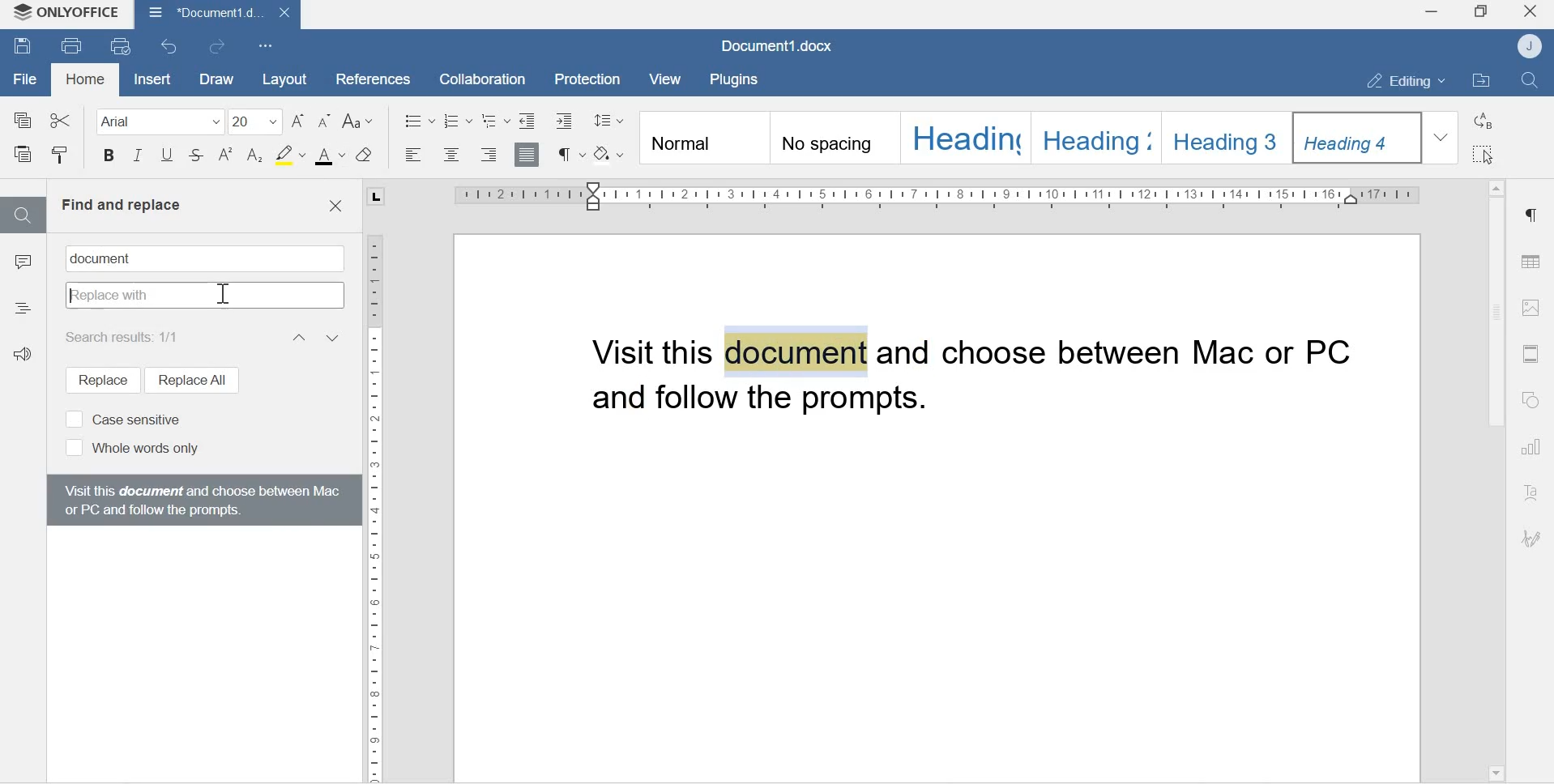 This screenshot has height=784, width=1554. Describe the element at coordinates (150, 79) in the screenshot. I see `Insert` at that location.